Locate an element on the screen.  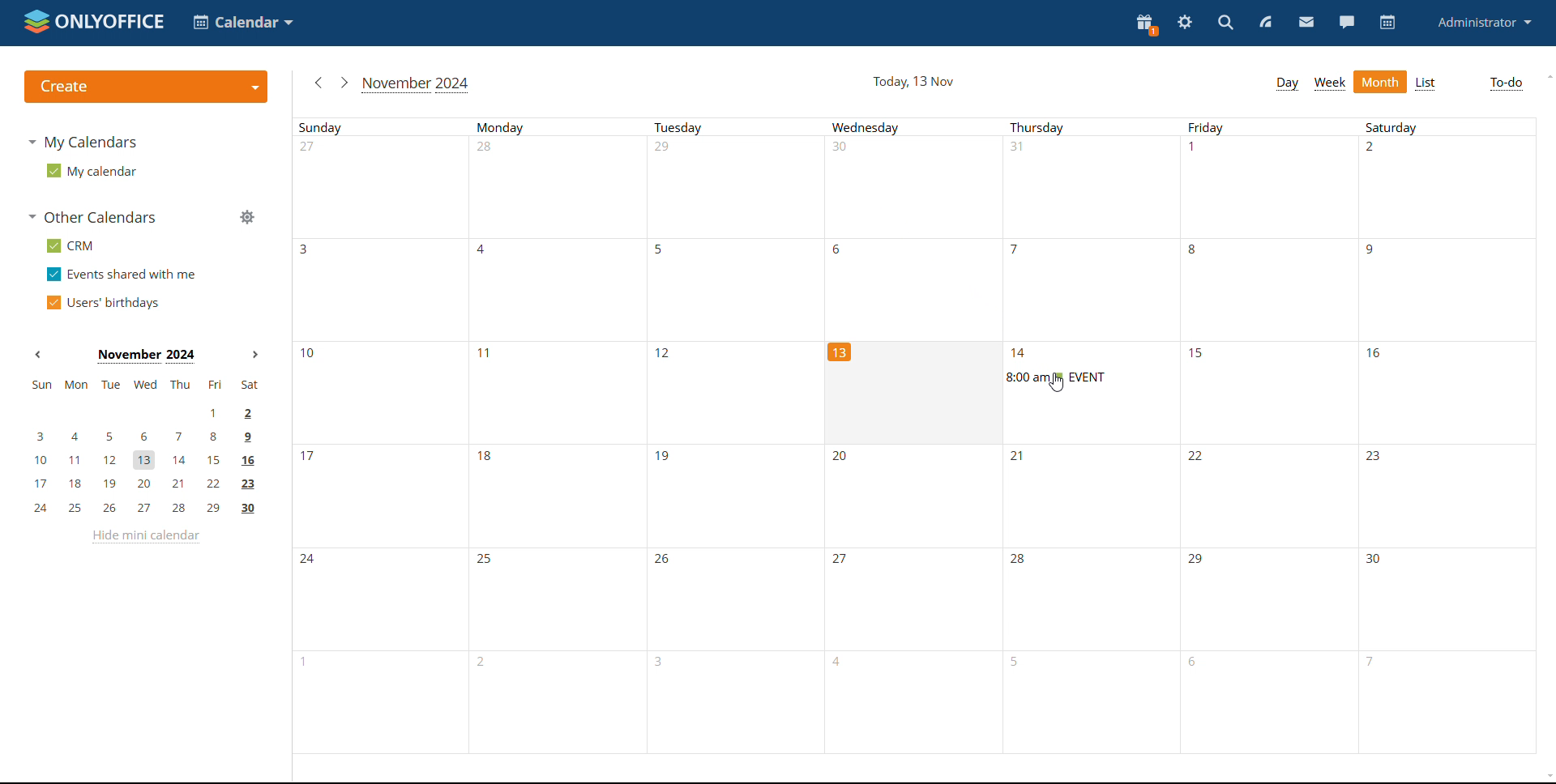
previous month is located at coordinates (41, 355).